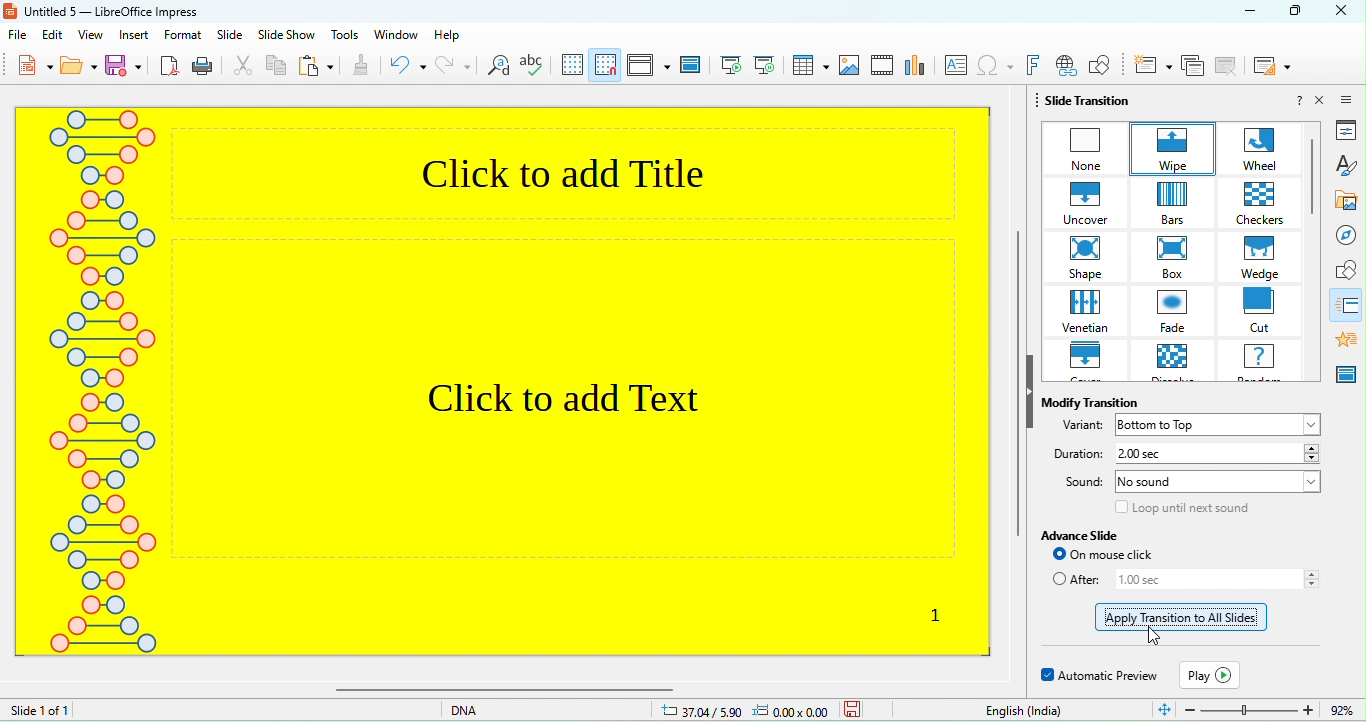 This screenshot has height=722, width=1366. Describe the element at coordinates (1222, 424) in the screenshot. I see `bottom to up` at that location.